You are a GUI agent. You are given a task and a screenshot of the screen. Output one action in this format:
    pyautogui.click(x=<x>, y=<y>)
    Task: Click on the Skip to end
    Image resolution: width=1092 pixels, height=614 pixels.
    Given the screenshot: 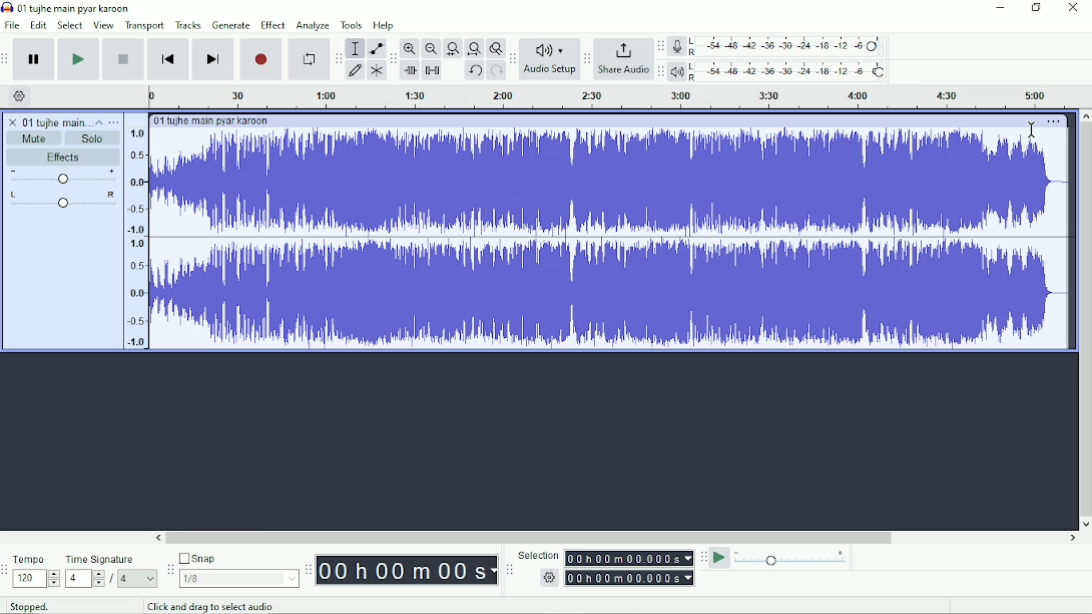 What is the action you would take?
    pyautogui.click(x=213, y=60)
    